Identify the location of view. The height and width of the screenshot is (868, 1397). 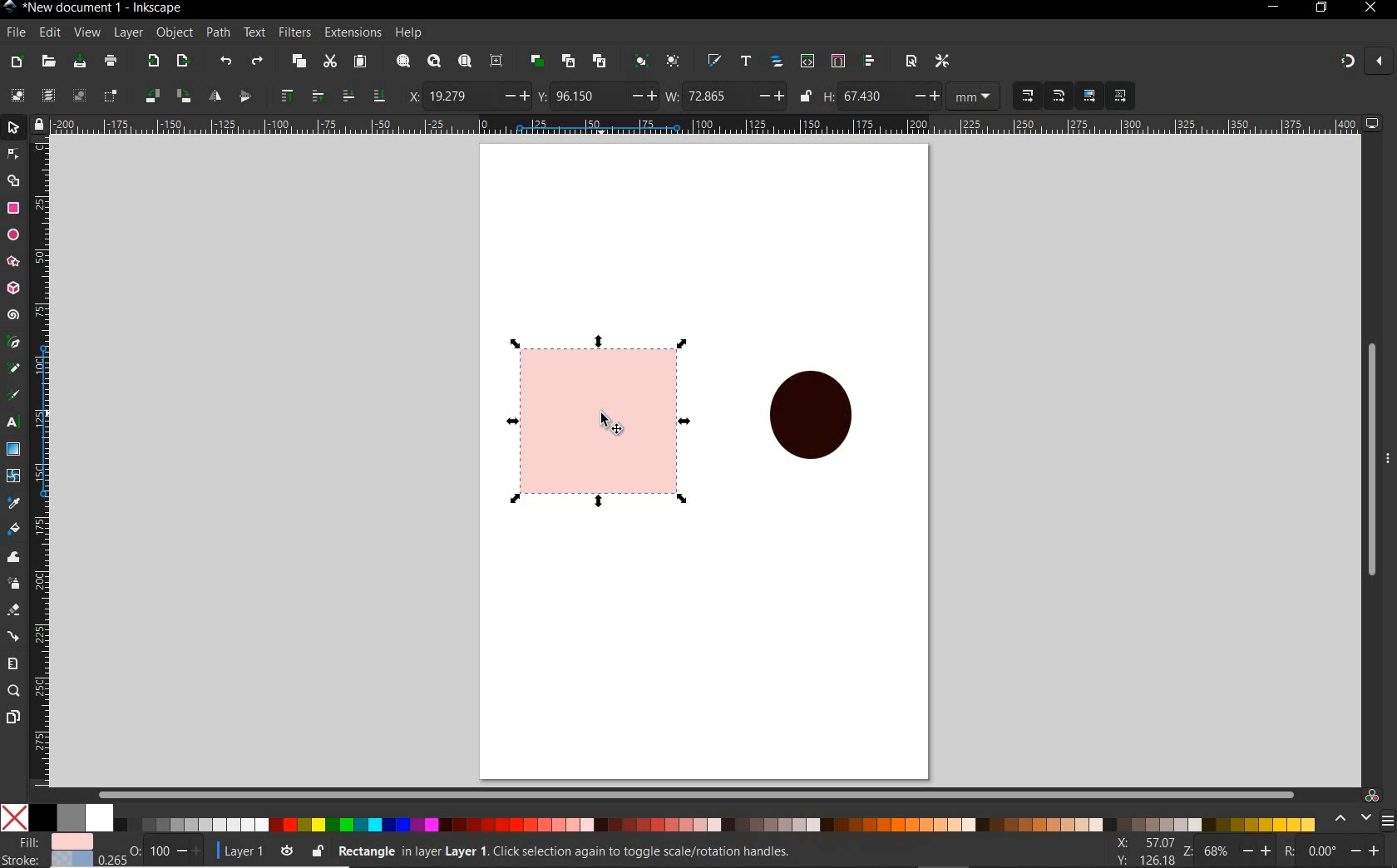
(86, 31).